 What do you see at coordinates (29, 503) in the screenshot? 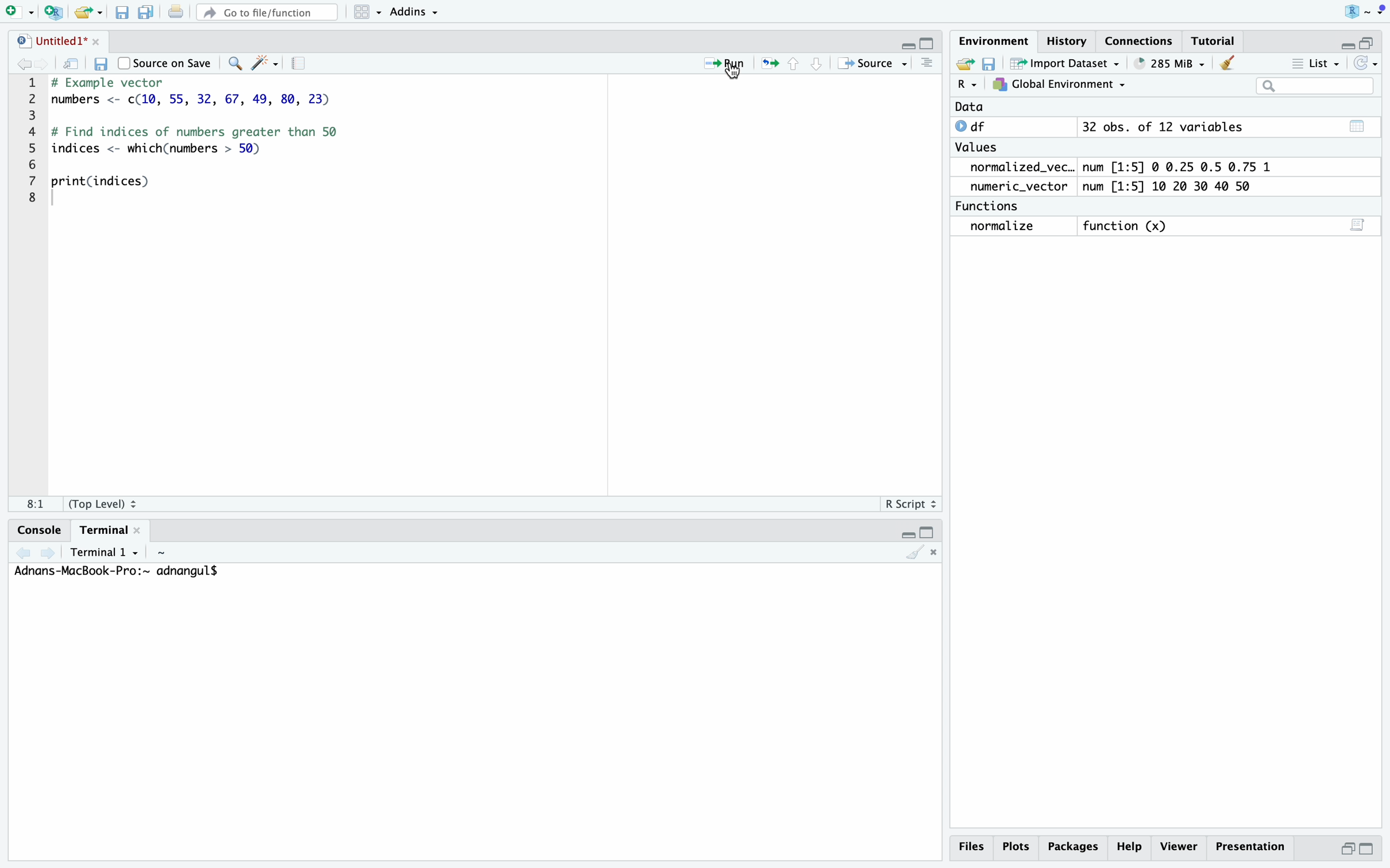
I see `1:1` at bounding box center [29, 503].